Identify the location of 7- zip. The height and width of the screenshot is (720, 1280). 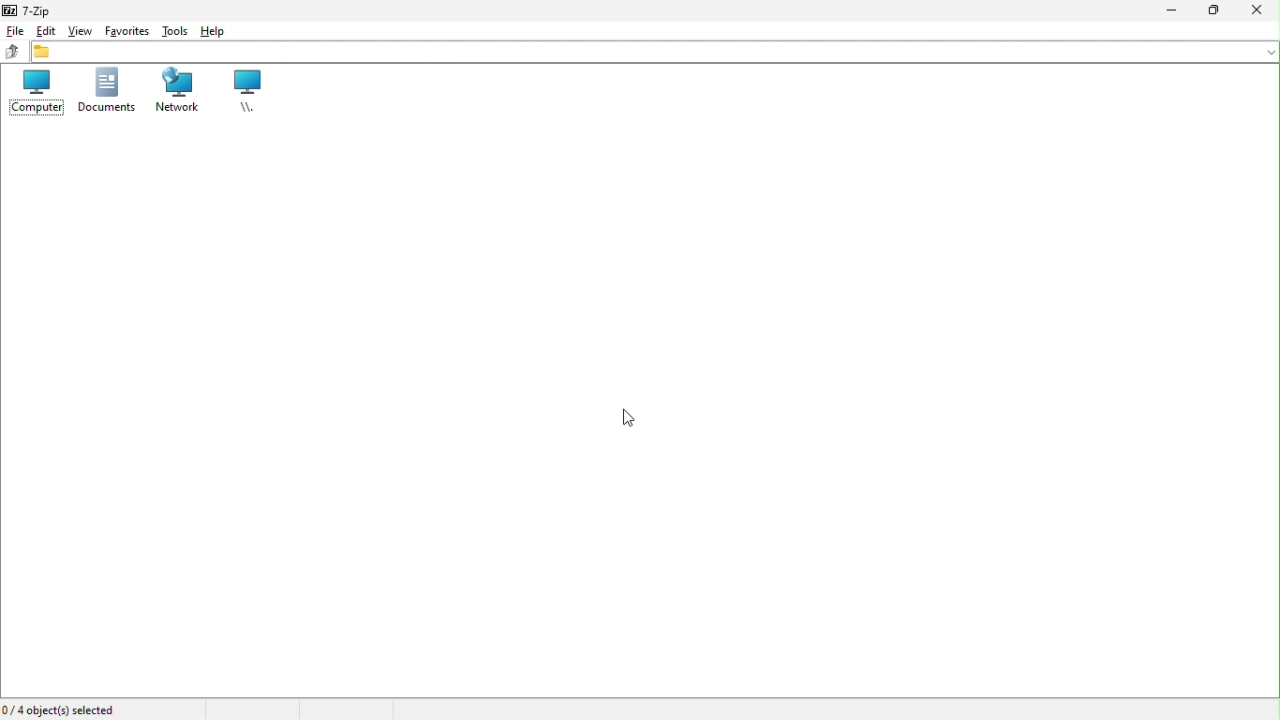
(33, 9).